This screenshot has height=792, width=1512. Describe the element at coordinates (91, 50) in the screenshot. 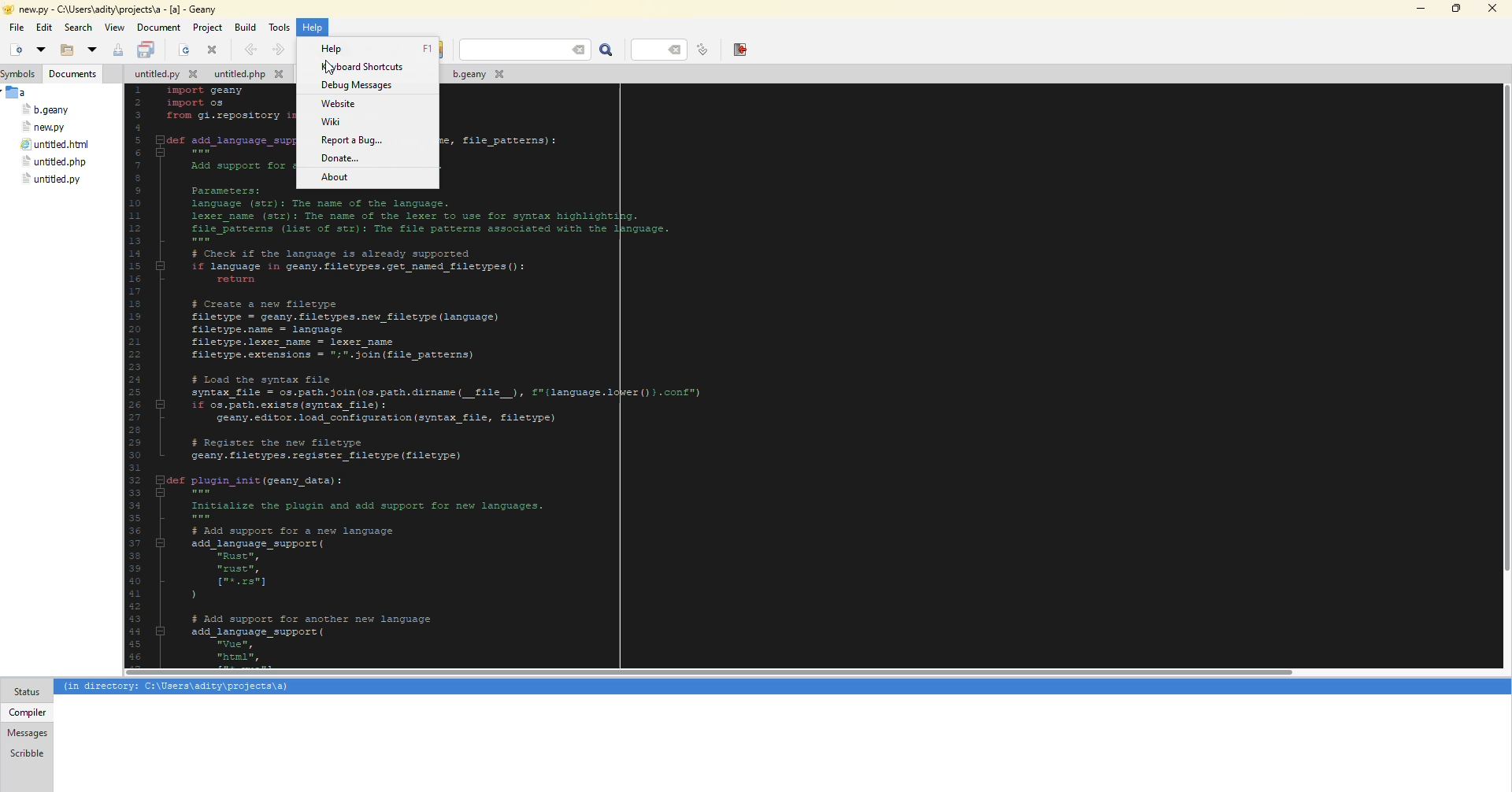

I see `open` at that location.